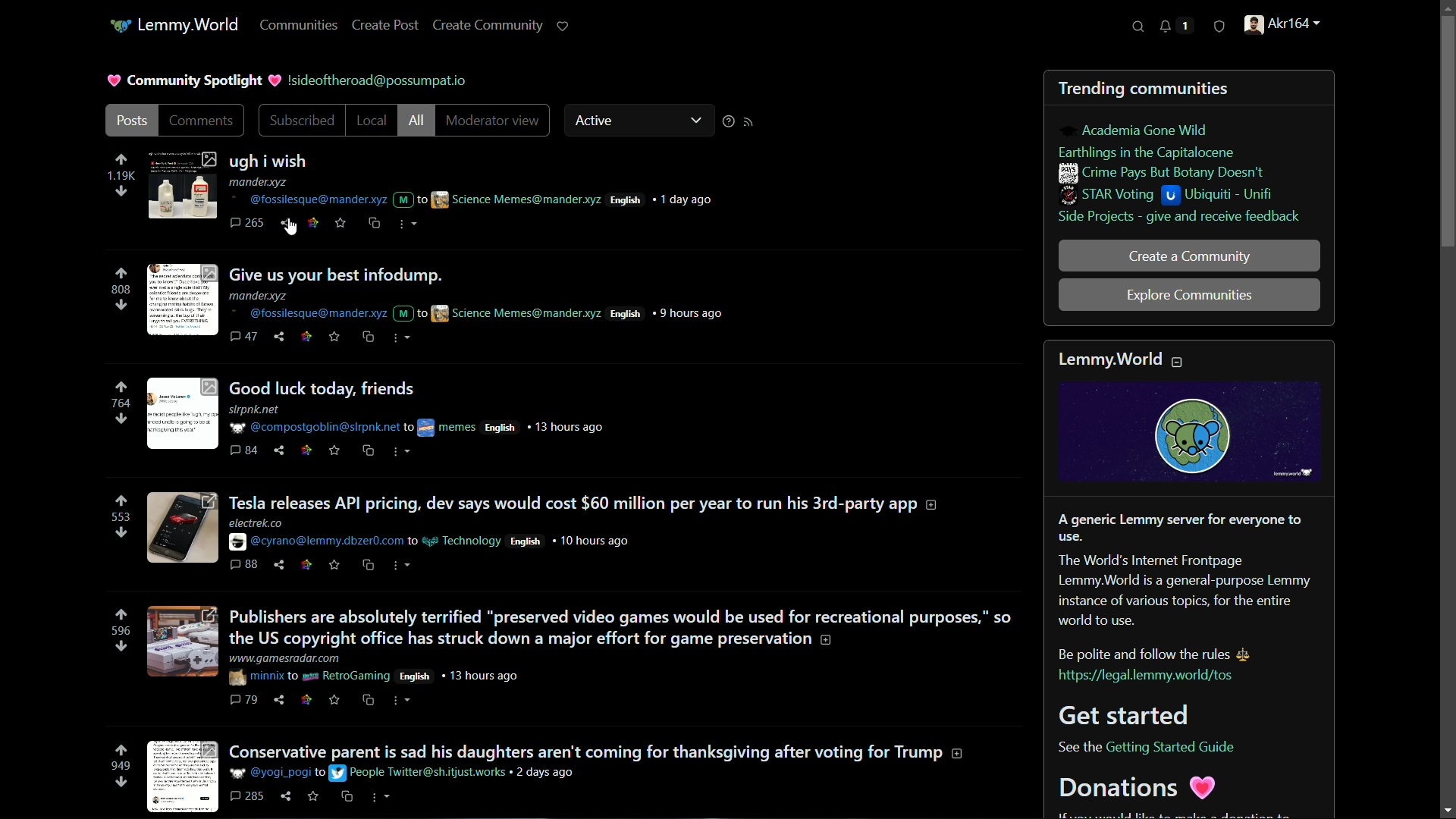 Image resolution: width=1456 pixels, height=819 pixels. What do you see at coordinates (1187, 89) in the screenshot?
I see `communities` at bounding box center [1187, 89].